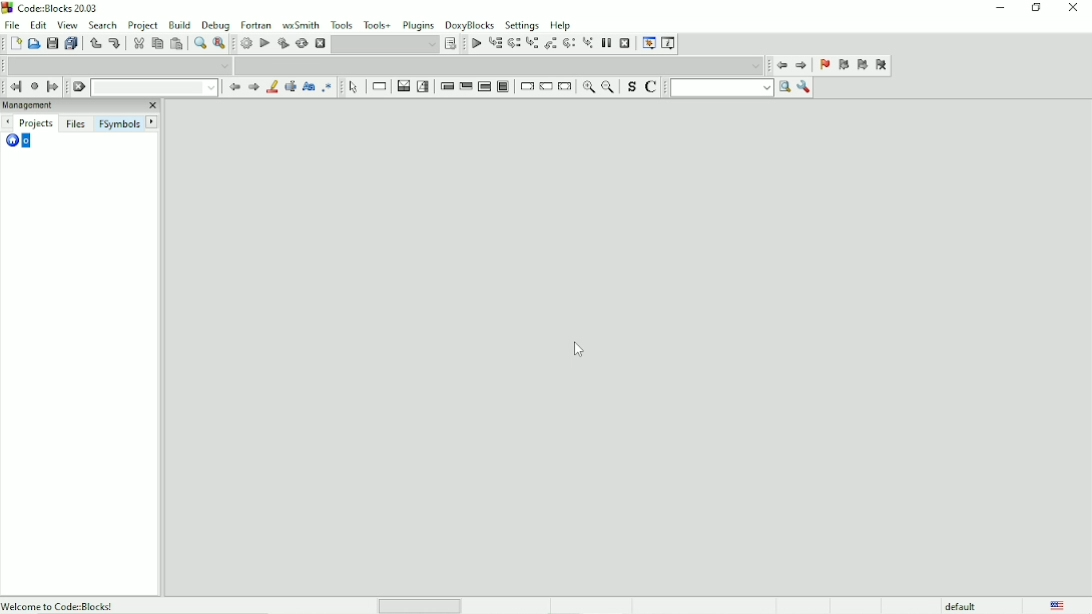 The width and height of the screenshot is (1092, 614). What do you see at coordinates (256, 24) in the screenshot?
I see `Fortran` at bounding box center [256, 24].